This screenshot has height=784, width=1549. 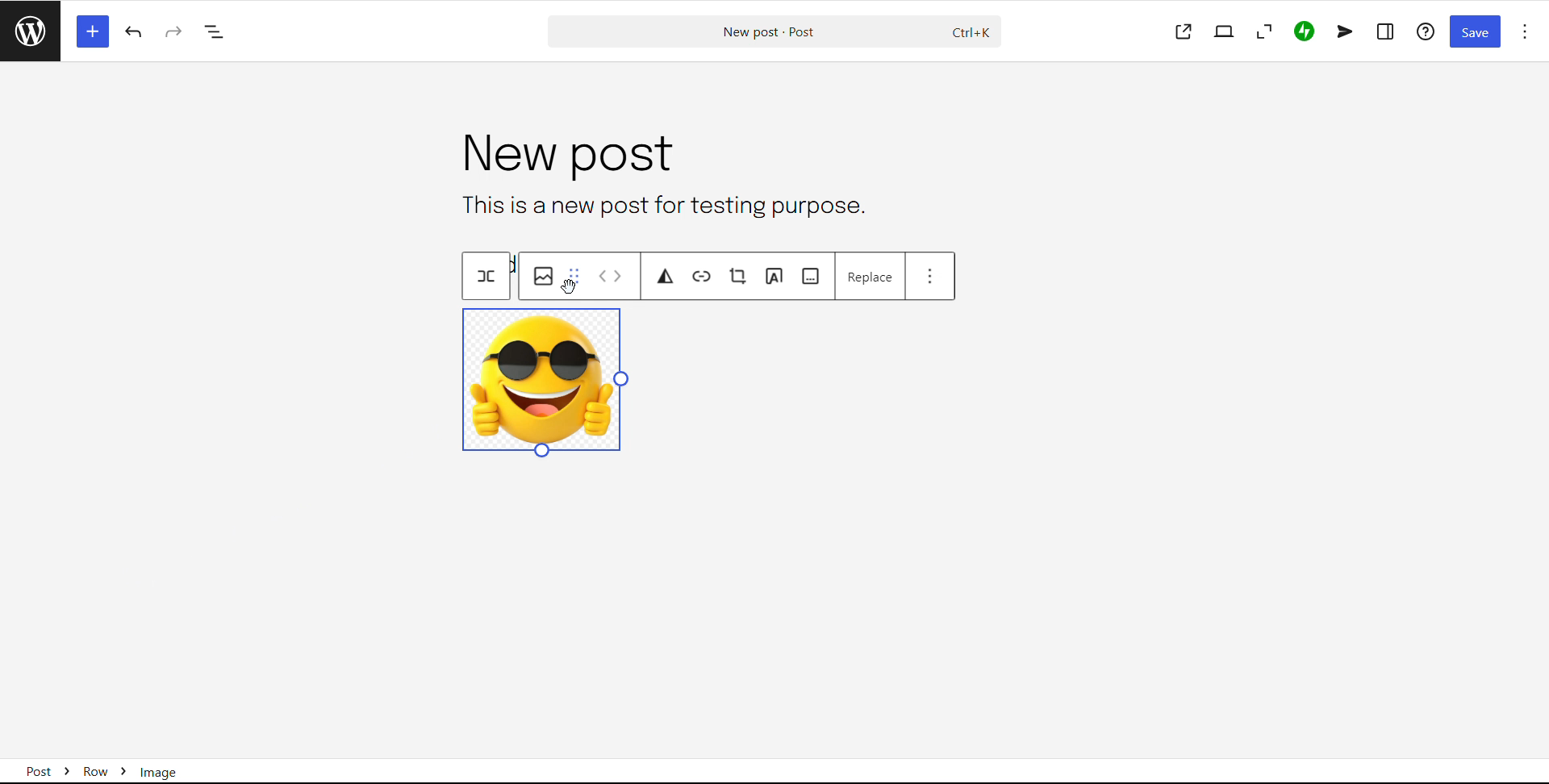 I want to click on view, so click(x=1224, y=31).